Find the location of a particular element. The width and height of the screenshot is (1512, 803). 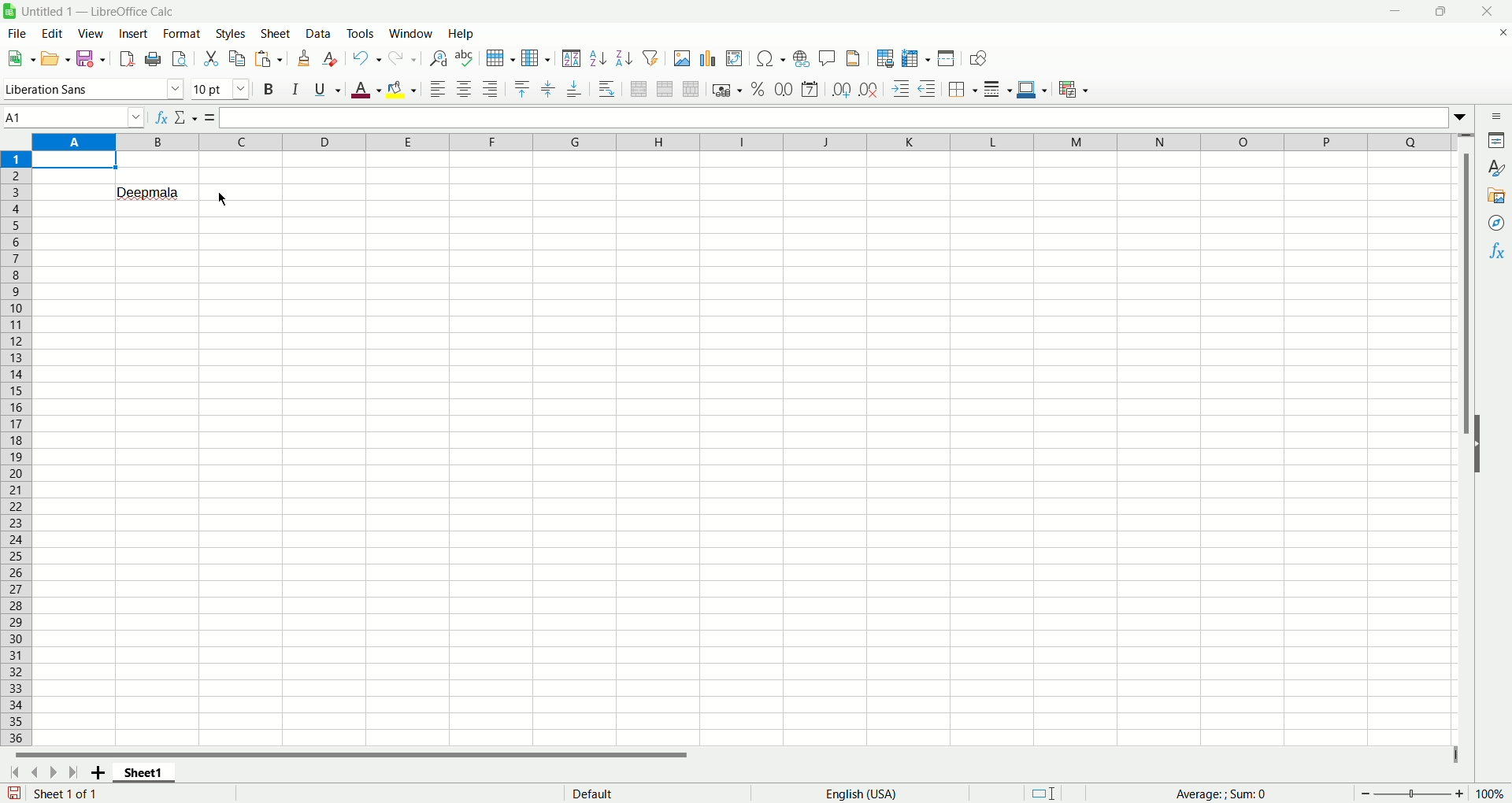

Find and replace is located at coordinates (439, 58).